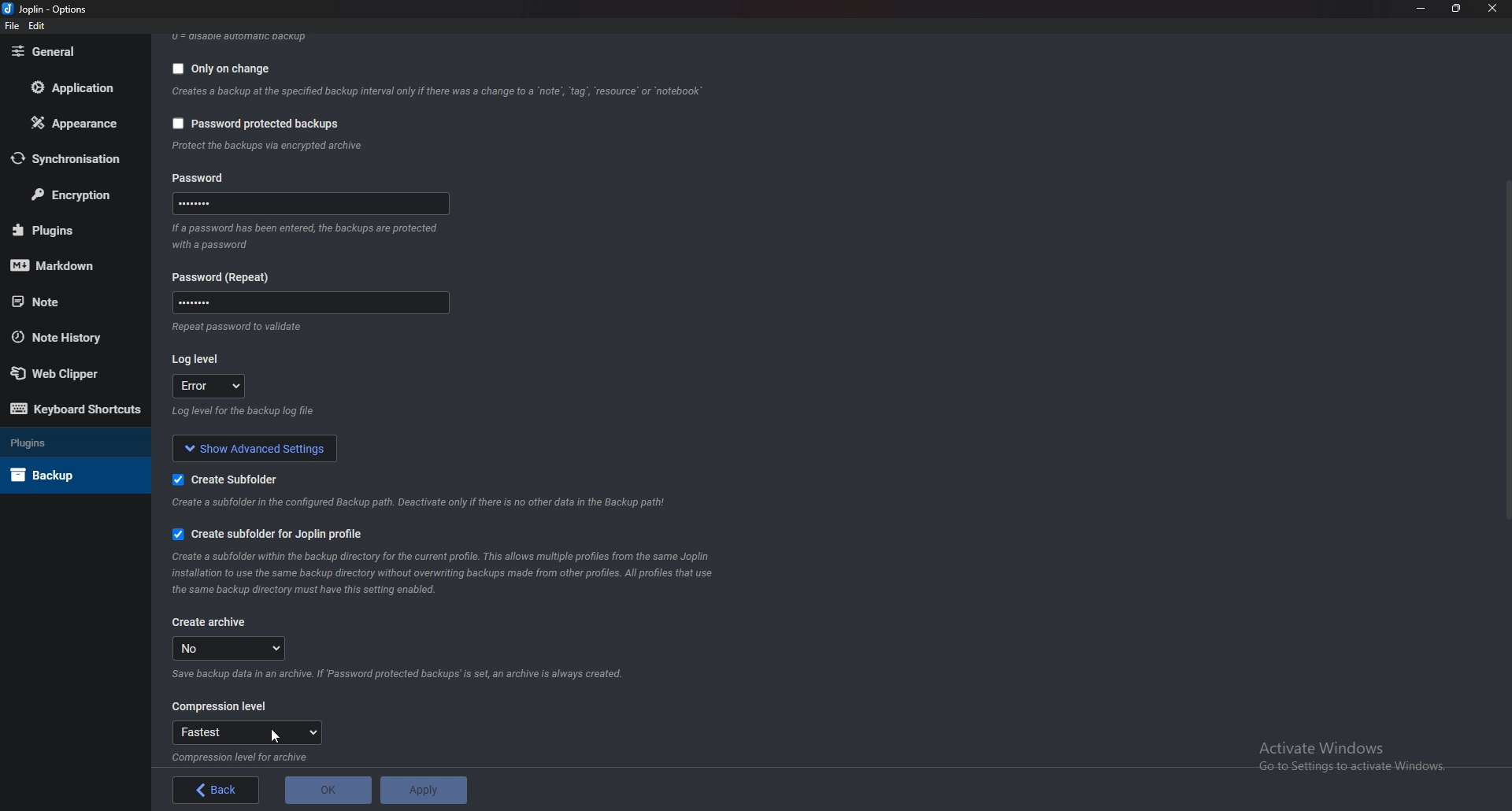 The image size is (1512, 811). I want to click on create archive, so click(210, 625).